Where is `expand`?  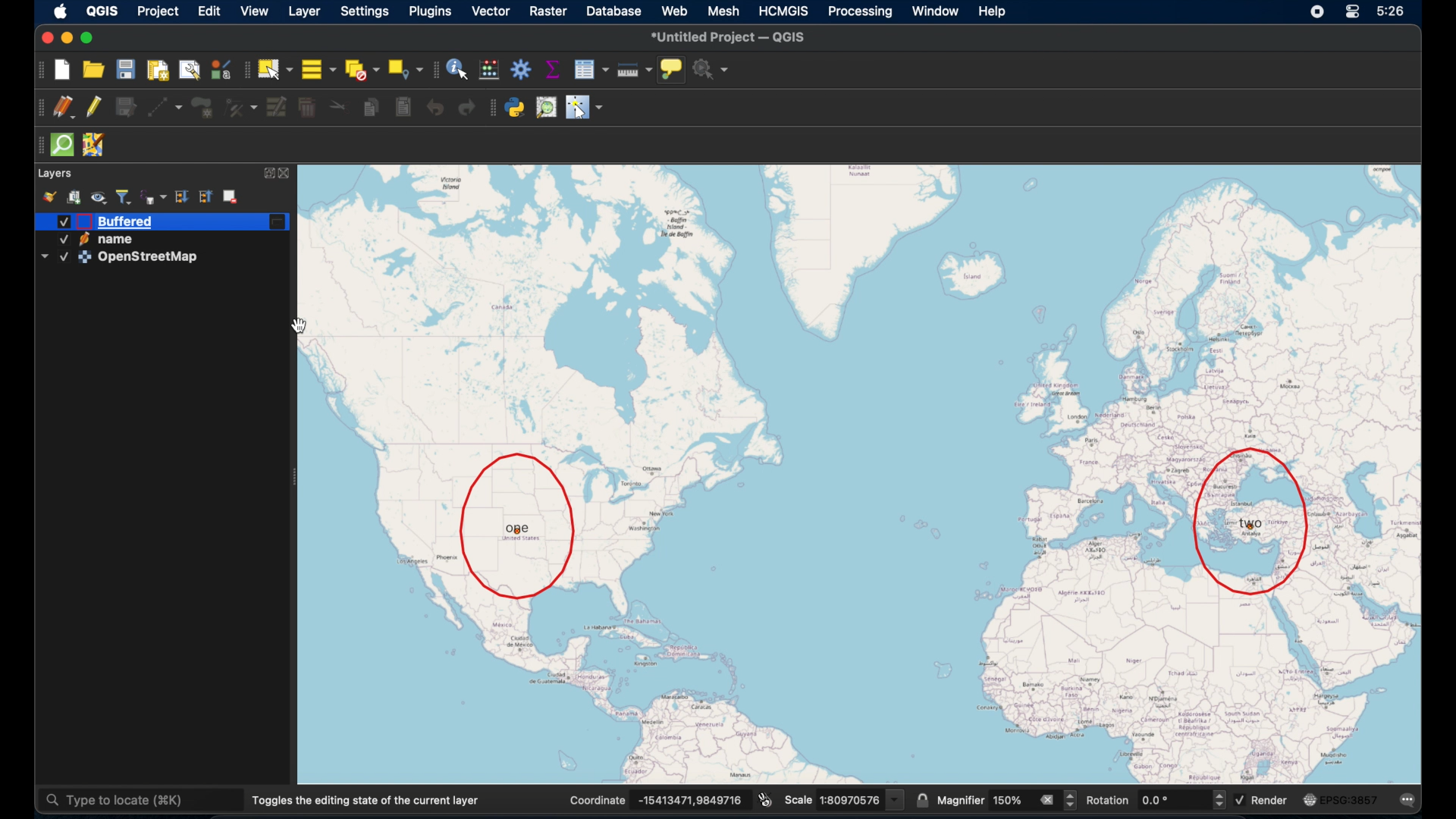
expand is located at coordinates (269, 172).